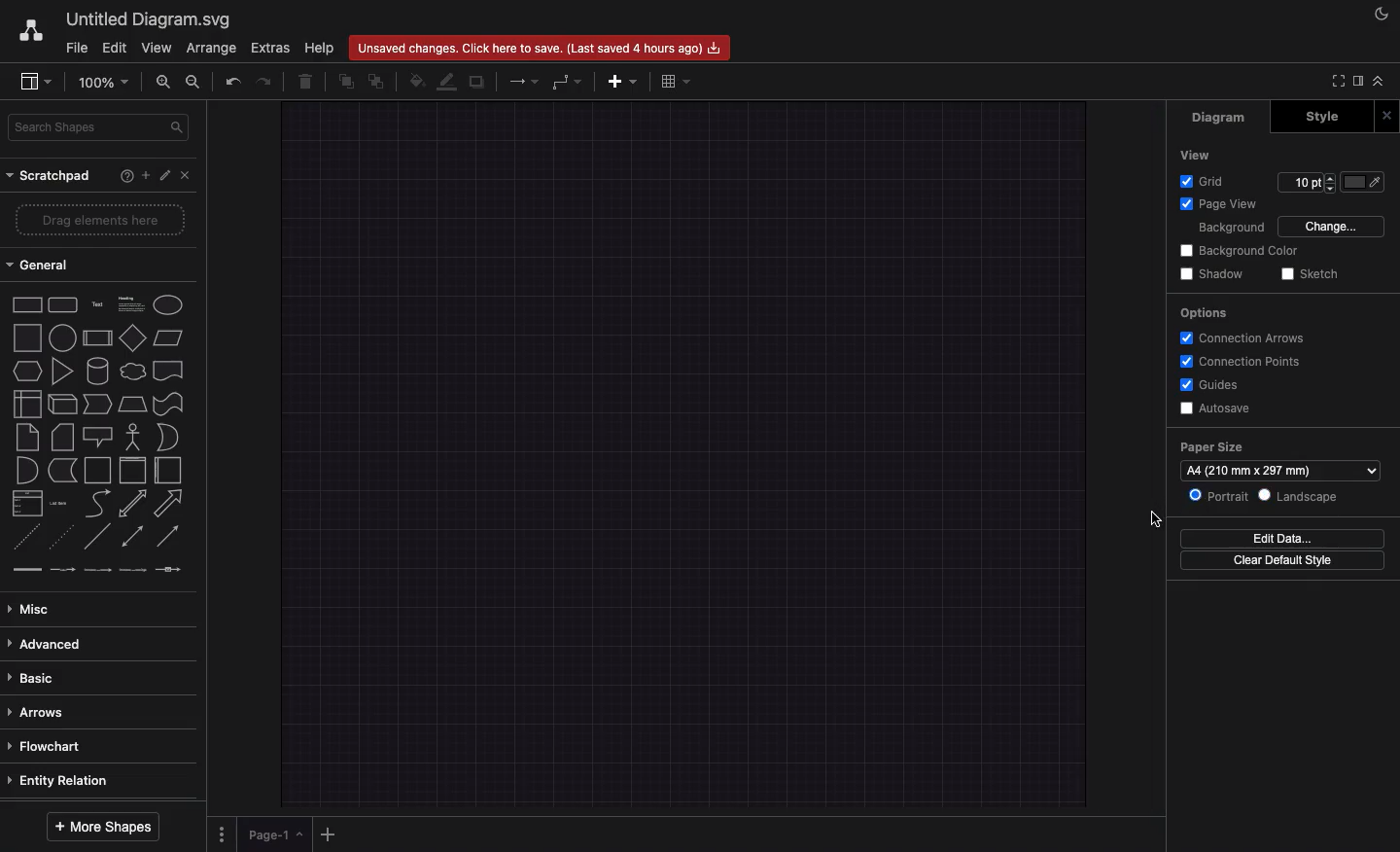 This screenshot has height=852, width=1400. I want to click on General, so click(42, 264).